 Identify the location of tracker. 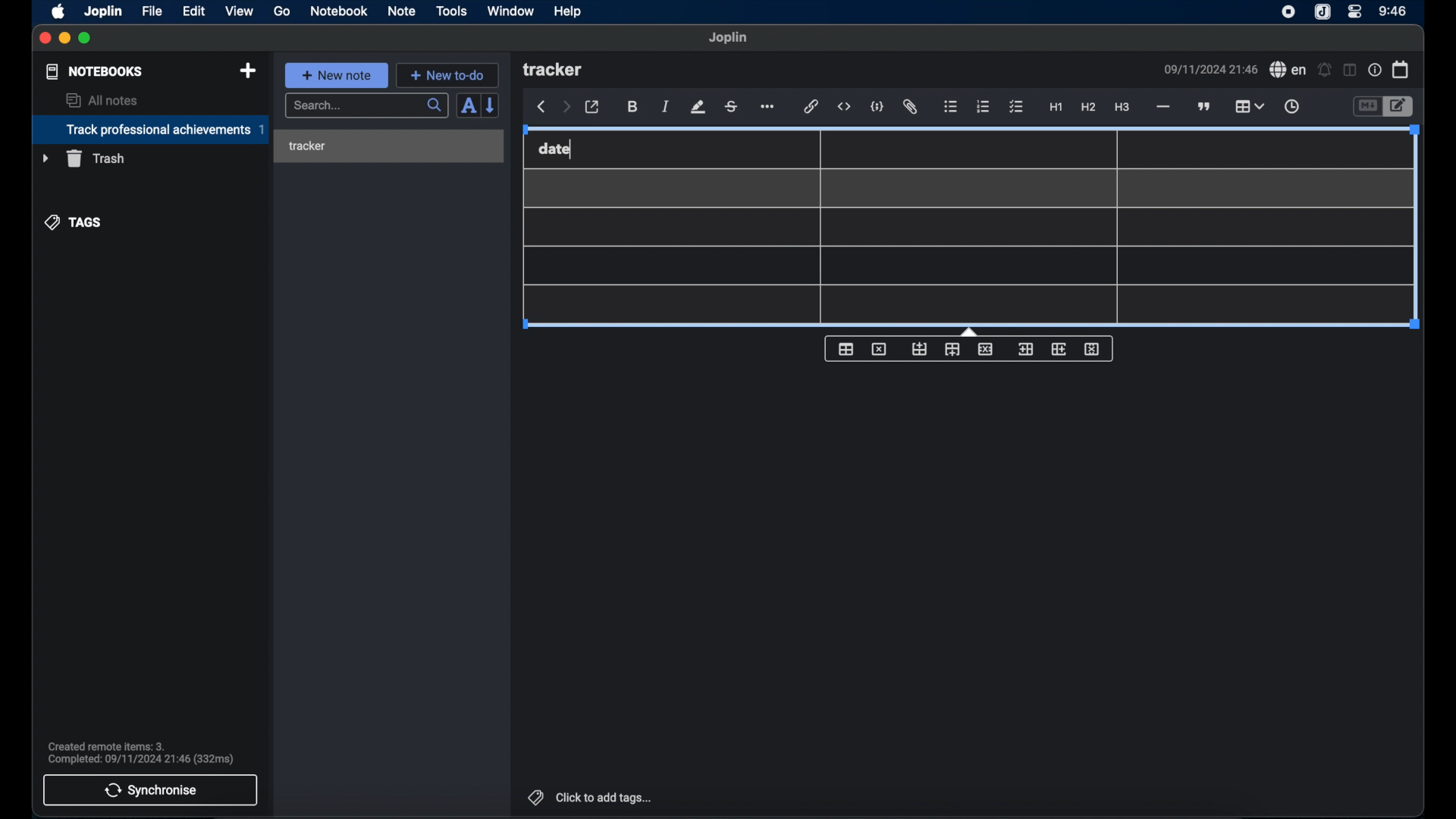
(554, 71).